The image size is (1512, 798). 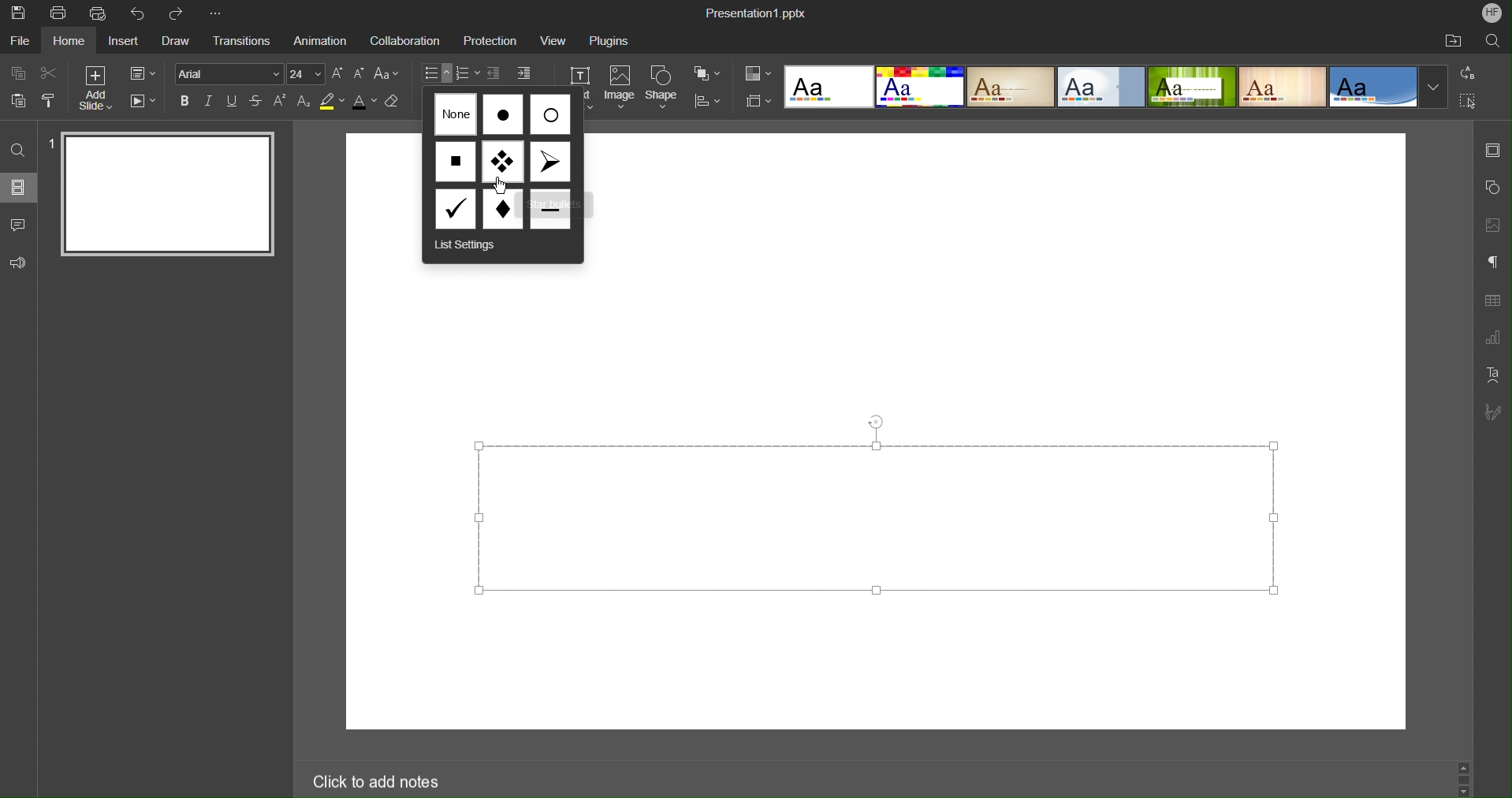 I want to click on Paragraph Settings, so click(x=1492, y=263).